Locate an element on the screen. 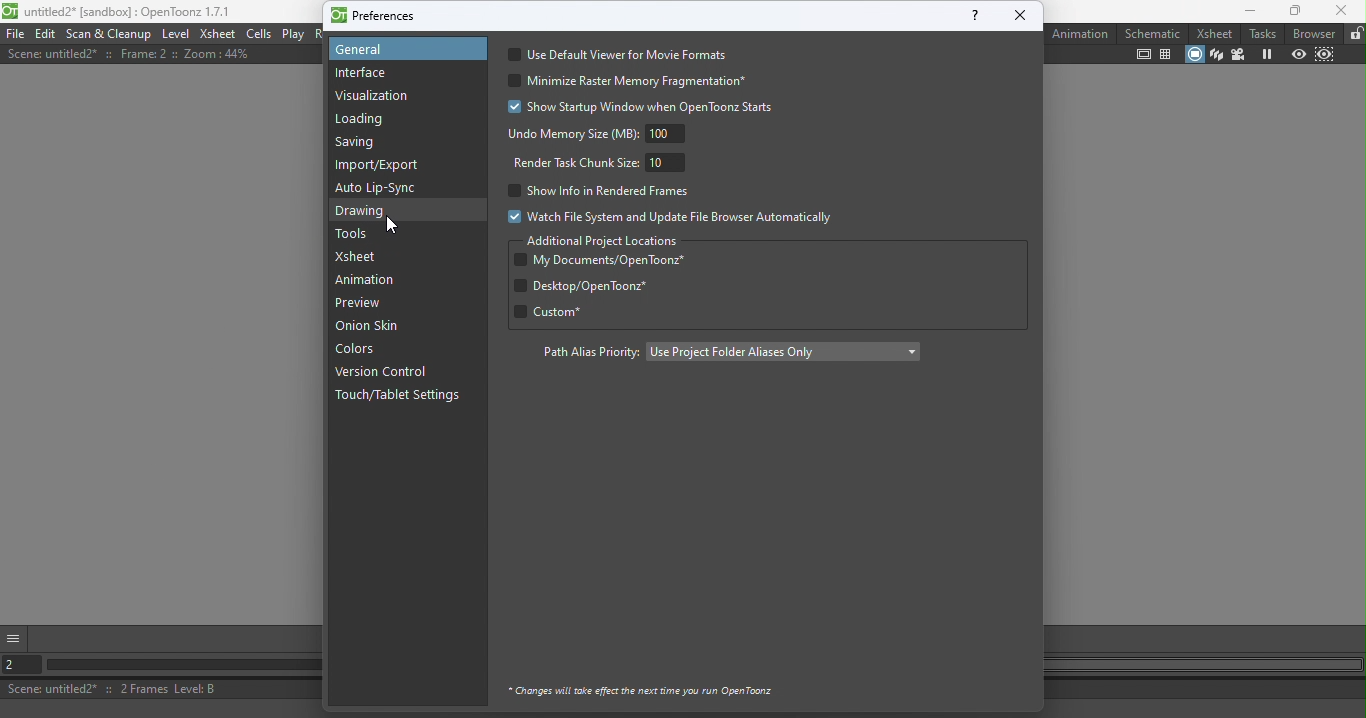  Render task chunk size is located at coordinates (604, 162).